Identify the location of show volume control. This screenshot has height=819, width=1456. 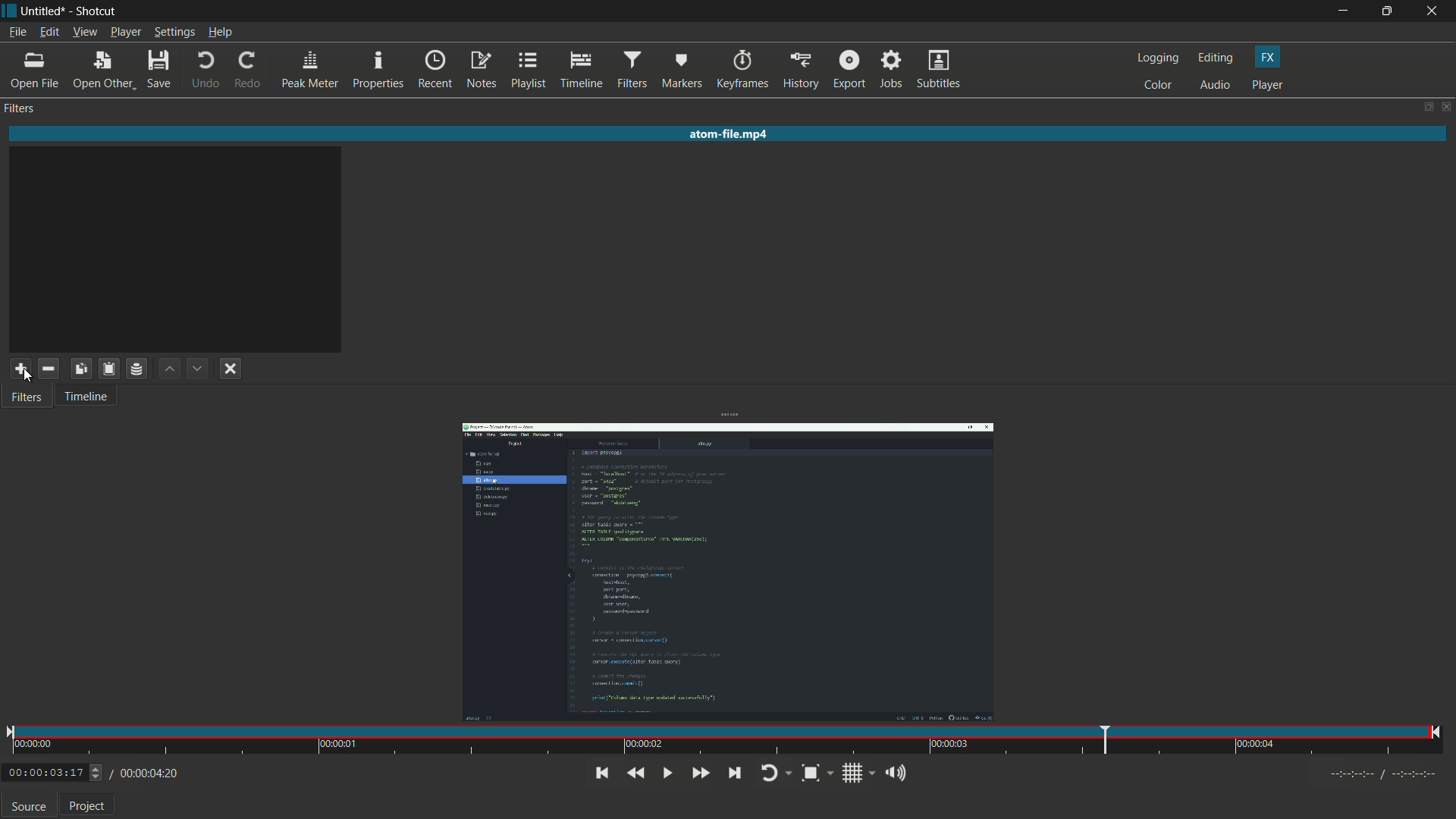
(900, 775).